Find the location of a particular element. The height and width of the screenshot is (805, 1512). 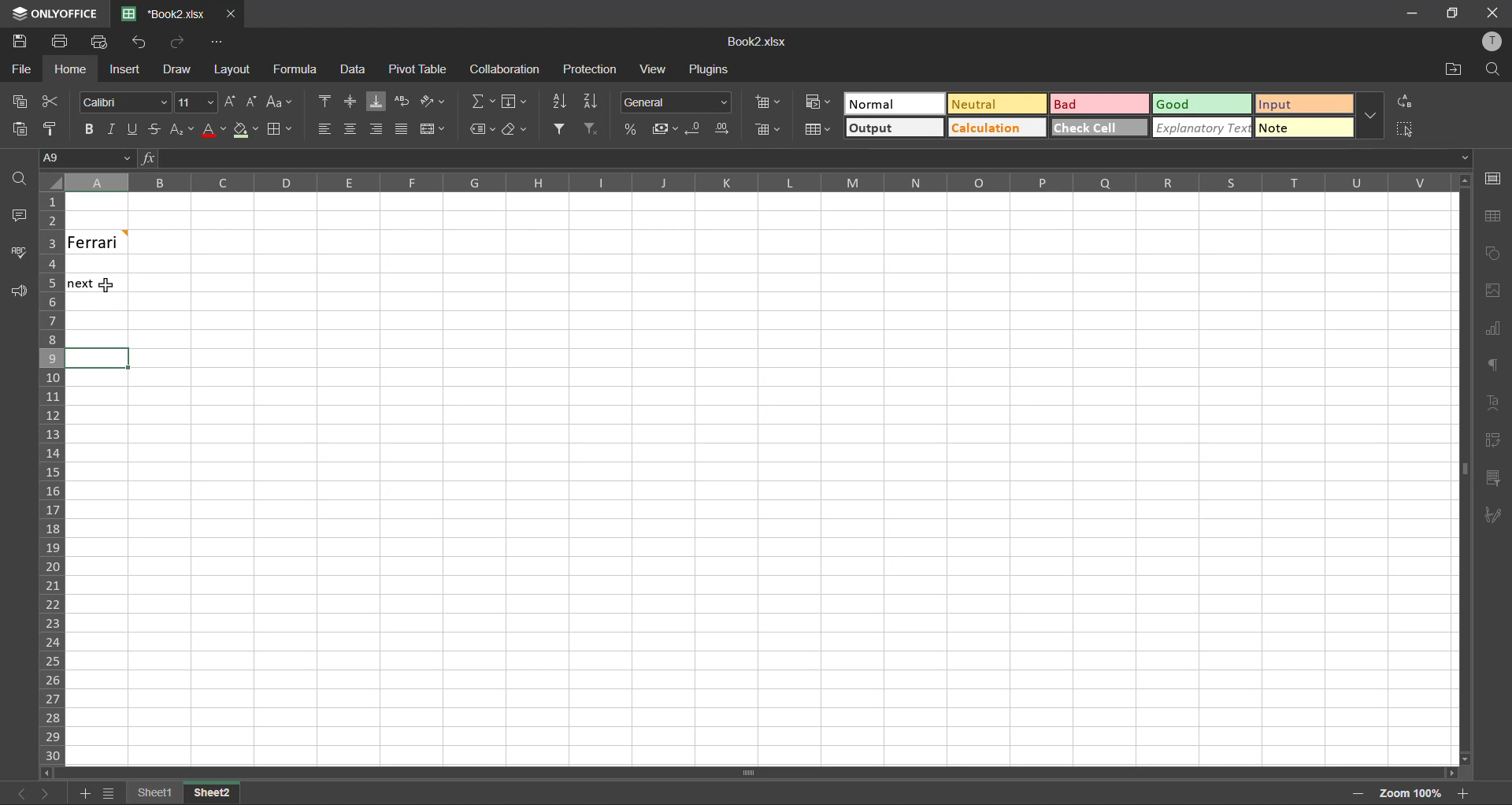

increment size is located at coordinates (231, 102).